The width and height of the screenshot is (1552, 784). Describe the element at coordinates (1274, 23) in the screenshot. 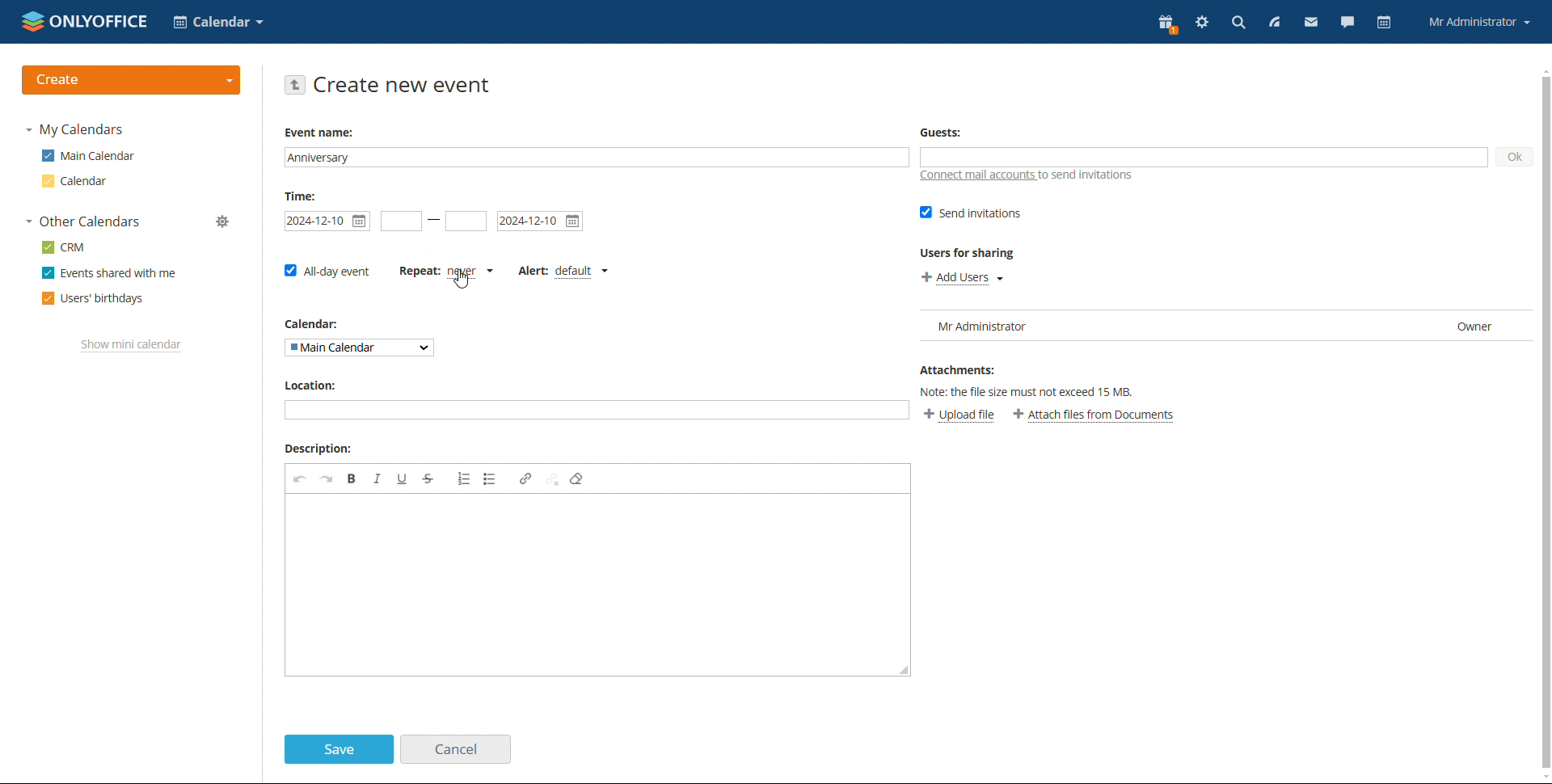

I see `feed` at that location.